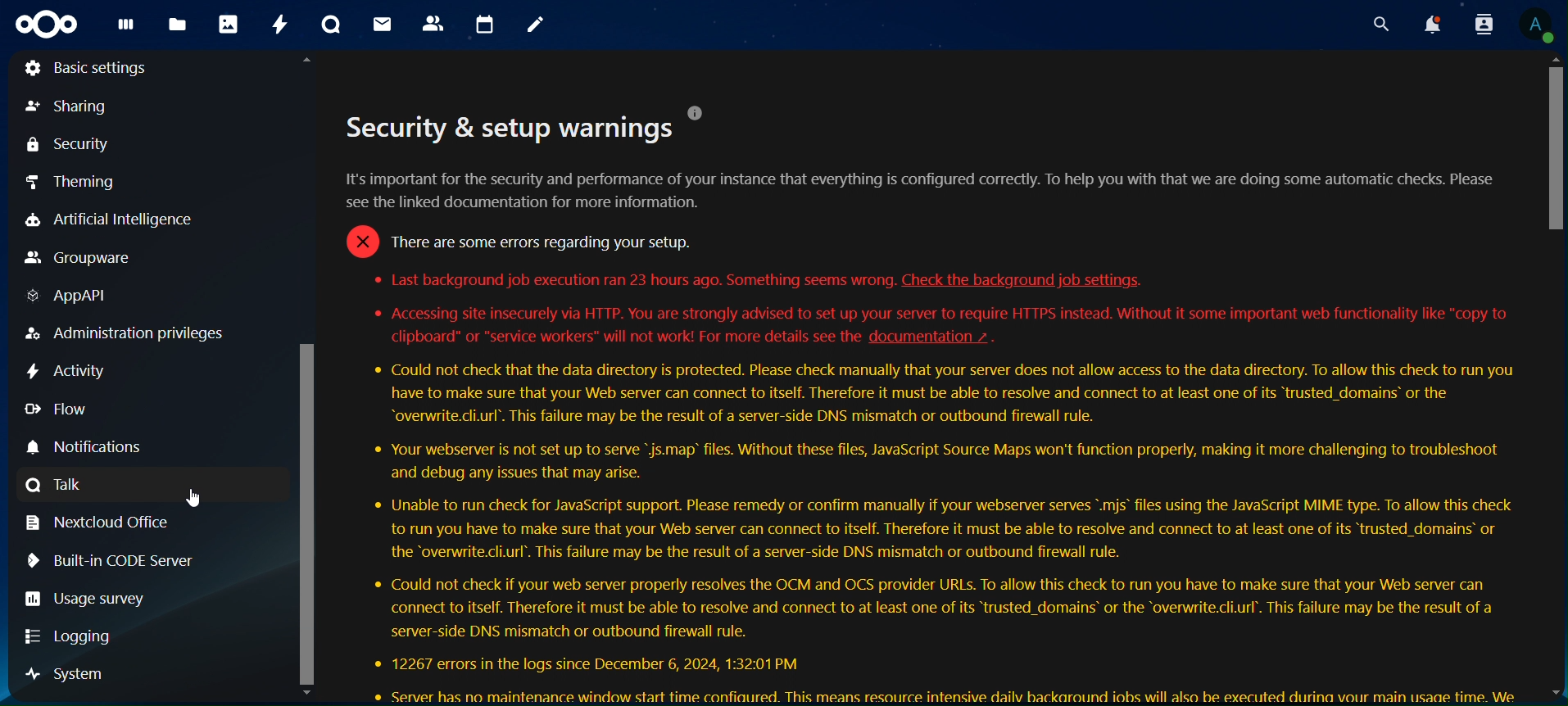 Image resolution: width=1568 pixels, height=706 pixels. What do you see at coordinates (69, 147) in the screenshot?
I see `security` at bounding box center [69, 147].